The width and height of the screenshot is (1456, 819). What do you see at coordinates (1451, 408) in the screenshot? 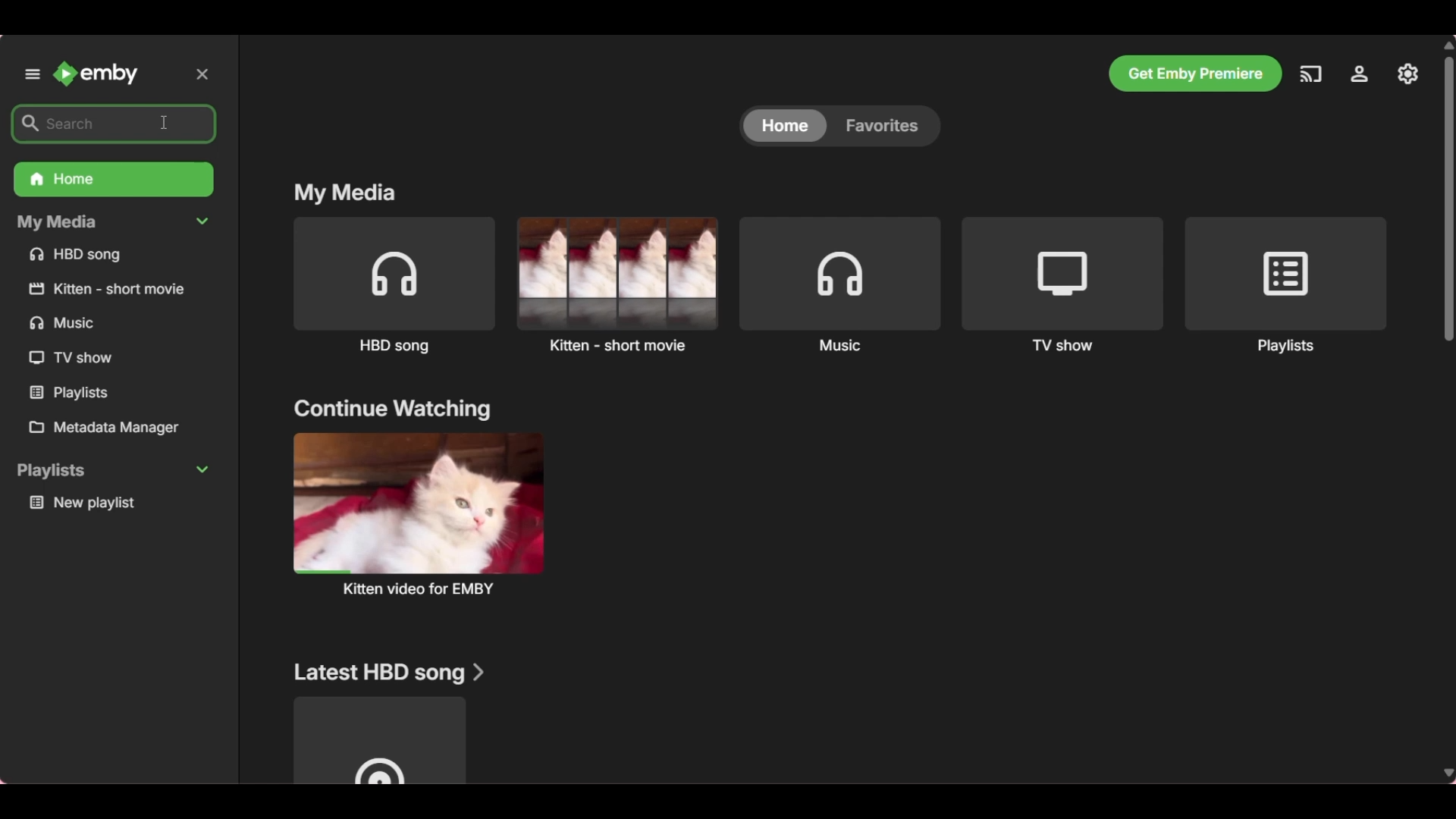
I see `Vertical slide bar` at bounding box center [1451, 408].